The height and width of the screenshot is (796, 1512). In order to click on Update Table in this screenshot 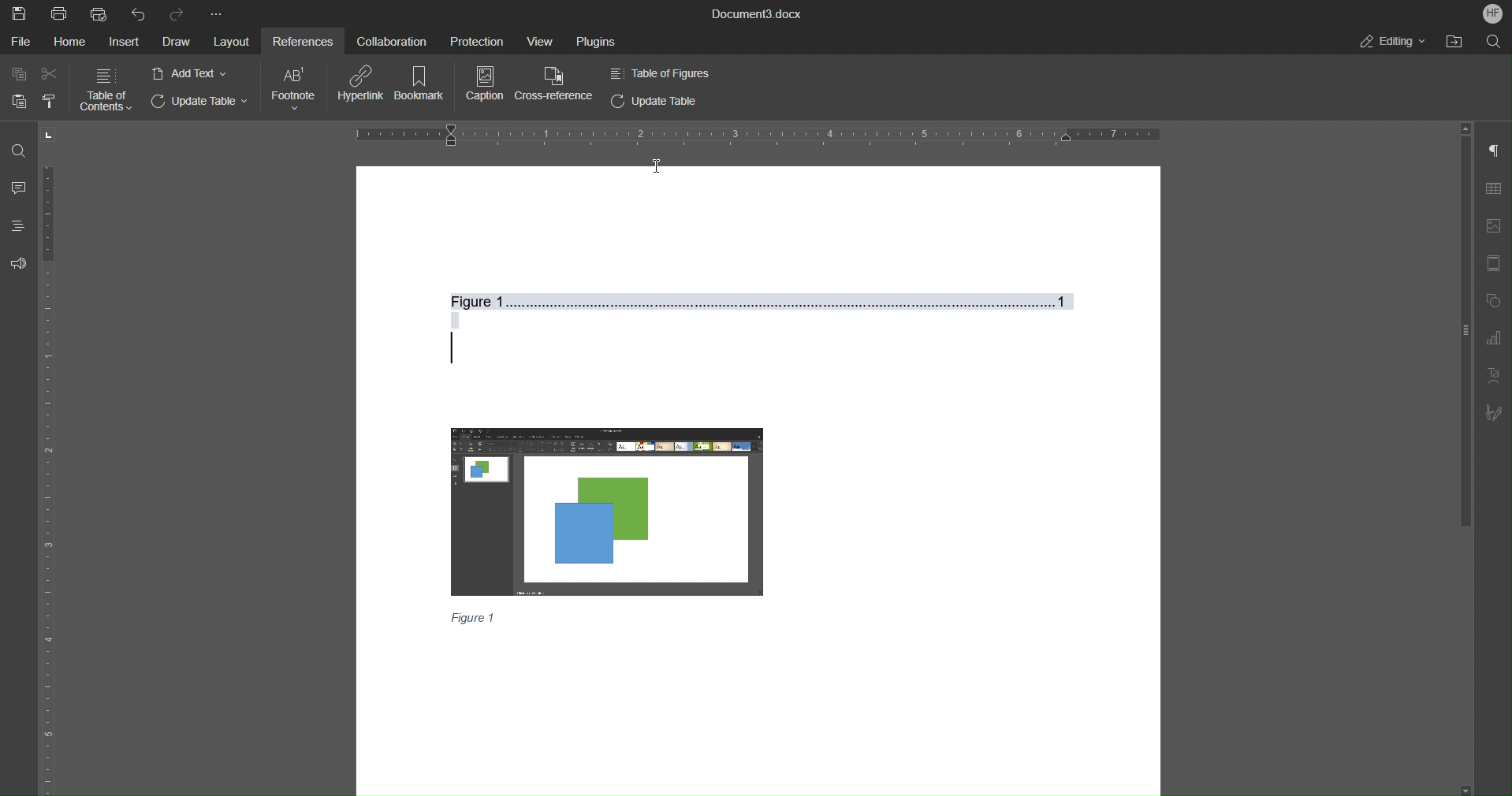, I will do `click(655, 101)`.